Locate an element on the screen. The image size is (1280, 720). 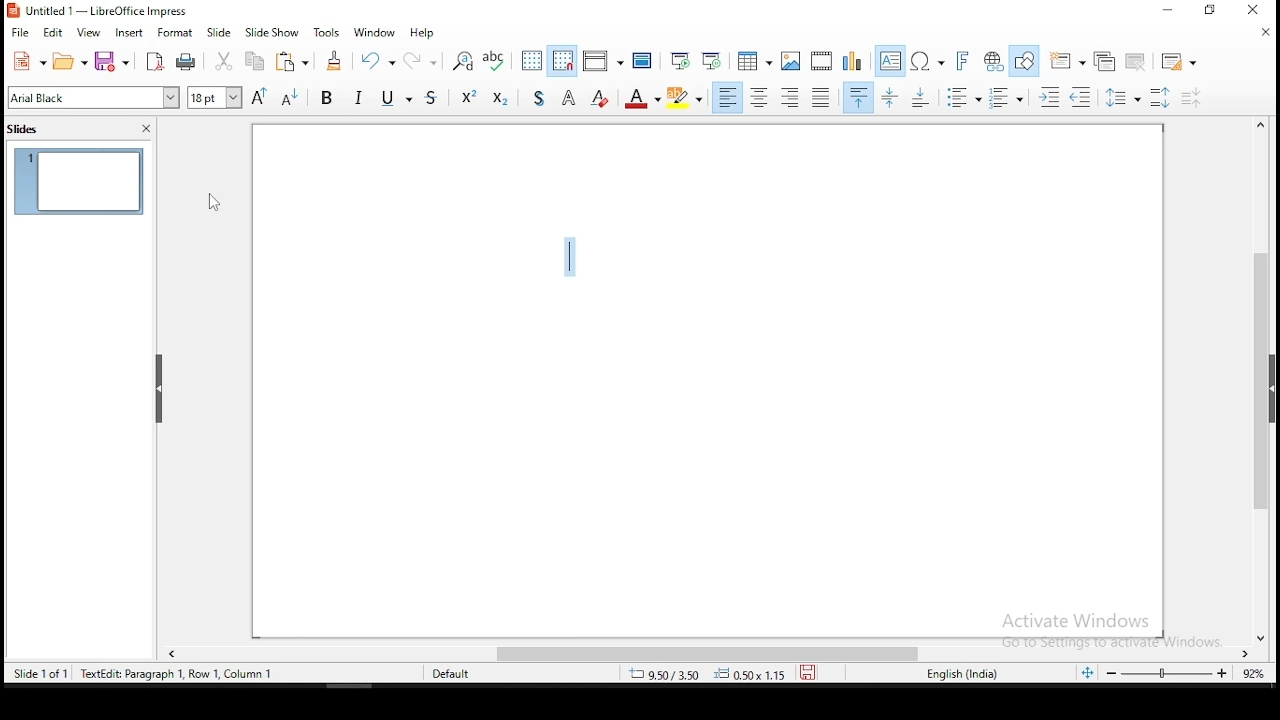
fit slide to current window is located at coordinates (1090, 672).